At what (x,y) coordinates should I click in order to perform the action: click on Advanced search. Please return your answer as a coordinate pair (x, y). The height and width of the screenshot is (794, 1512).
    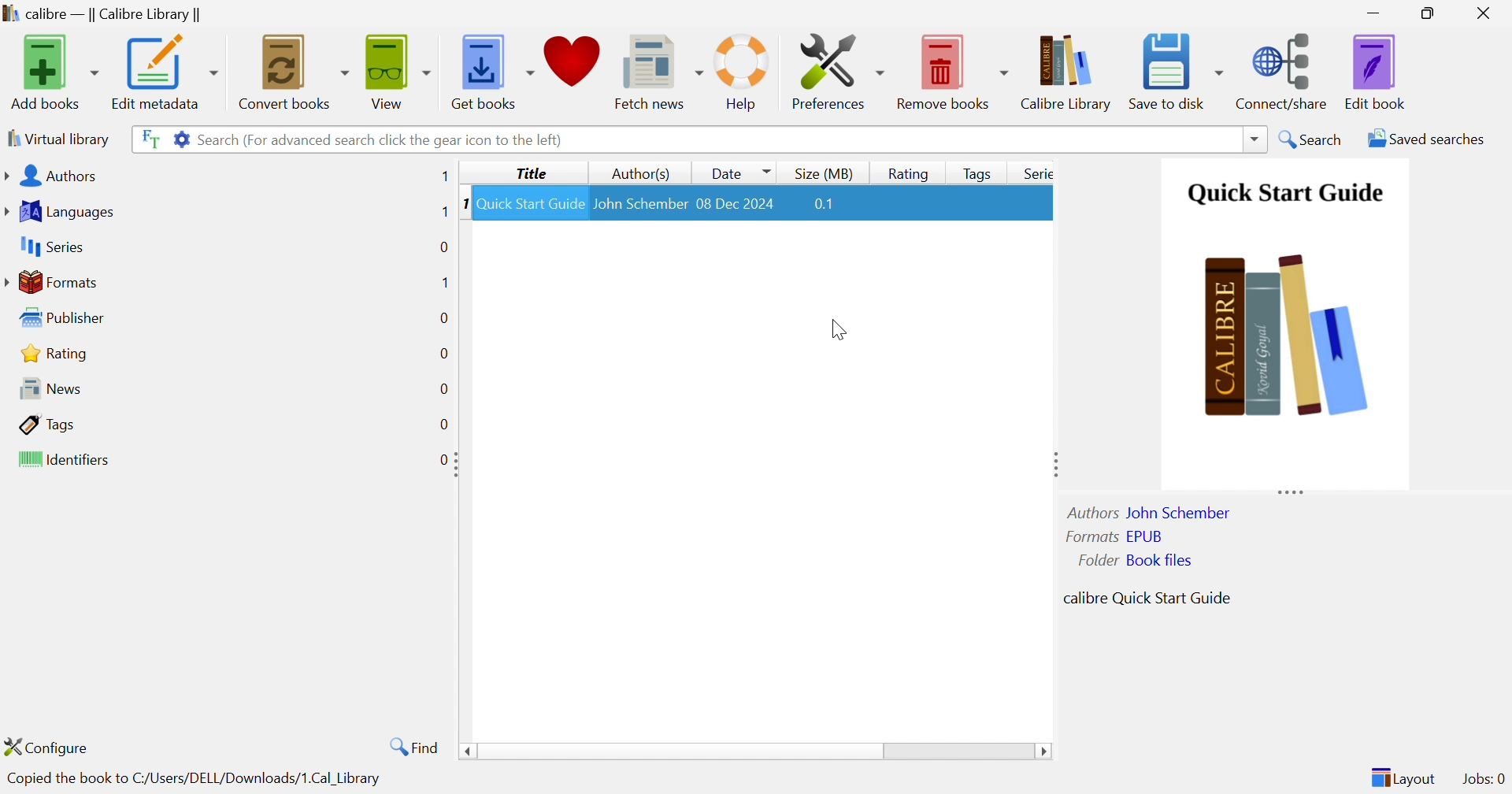
    Looking at the image, I should click on (177, 139).